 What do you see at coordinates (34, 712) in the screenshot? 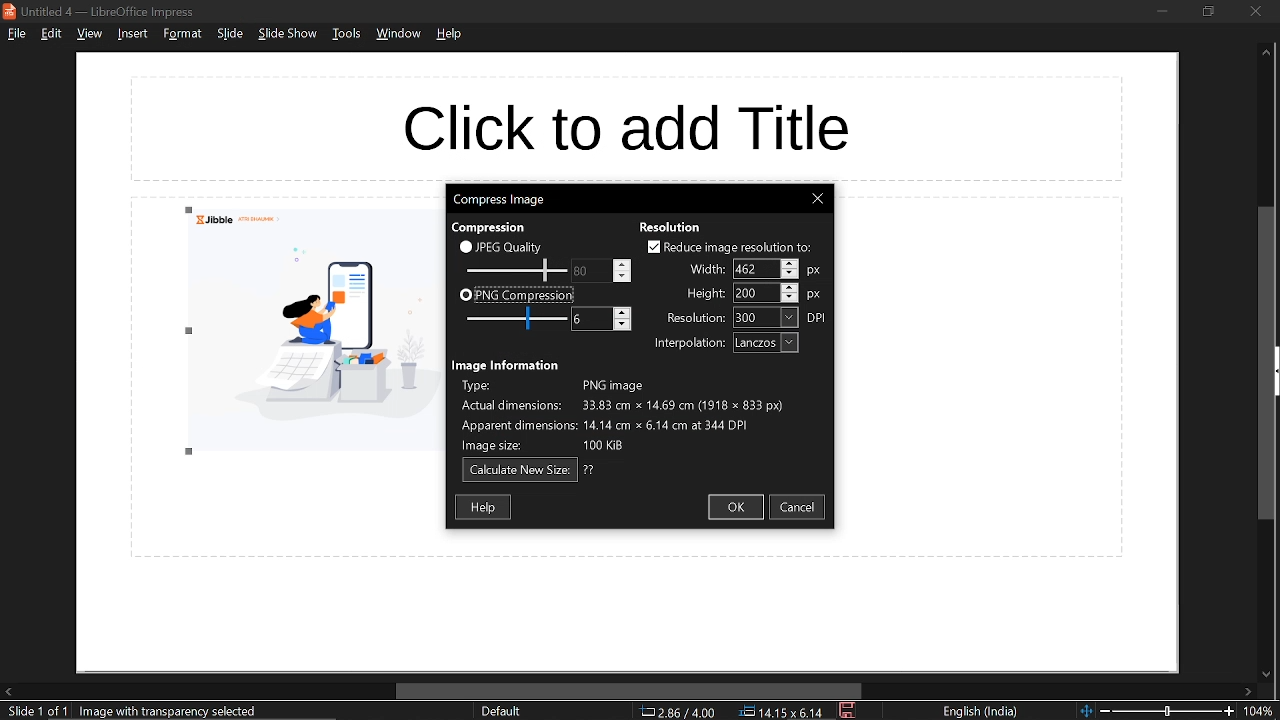
I see `current slide` at bounding box center [34, 712].